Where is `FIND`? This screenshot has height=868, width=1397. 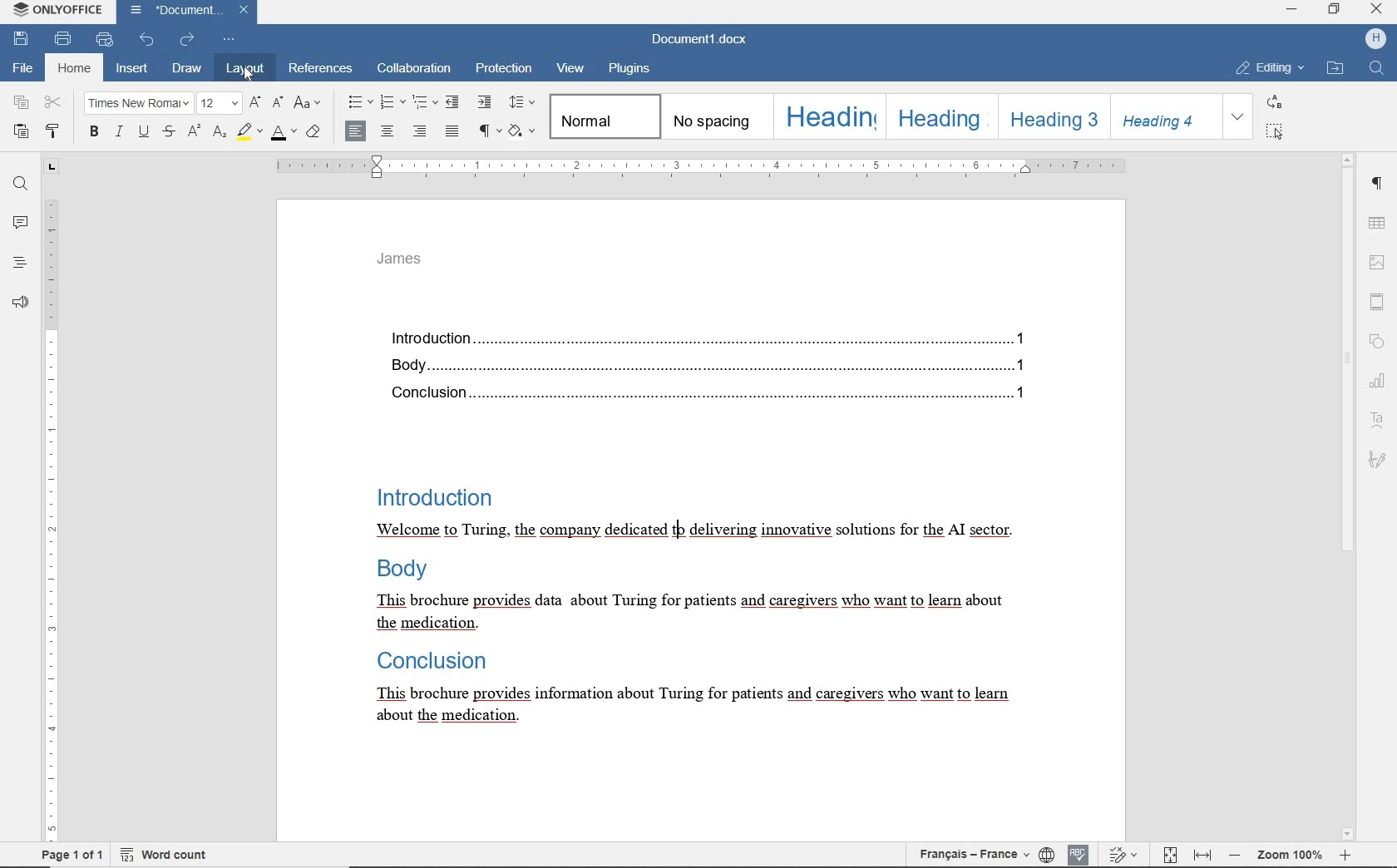 FIND is located at coordinates (1379, 69).